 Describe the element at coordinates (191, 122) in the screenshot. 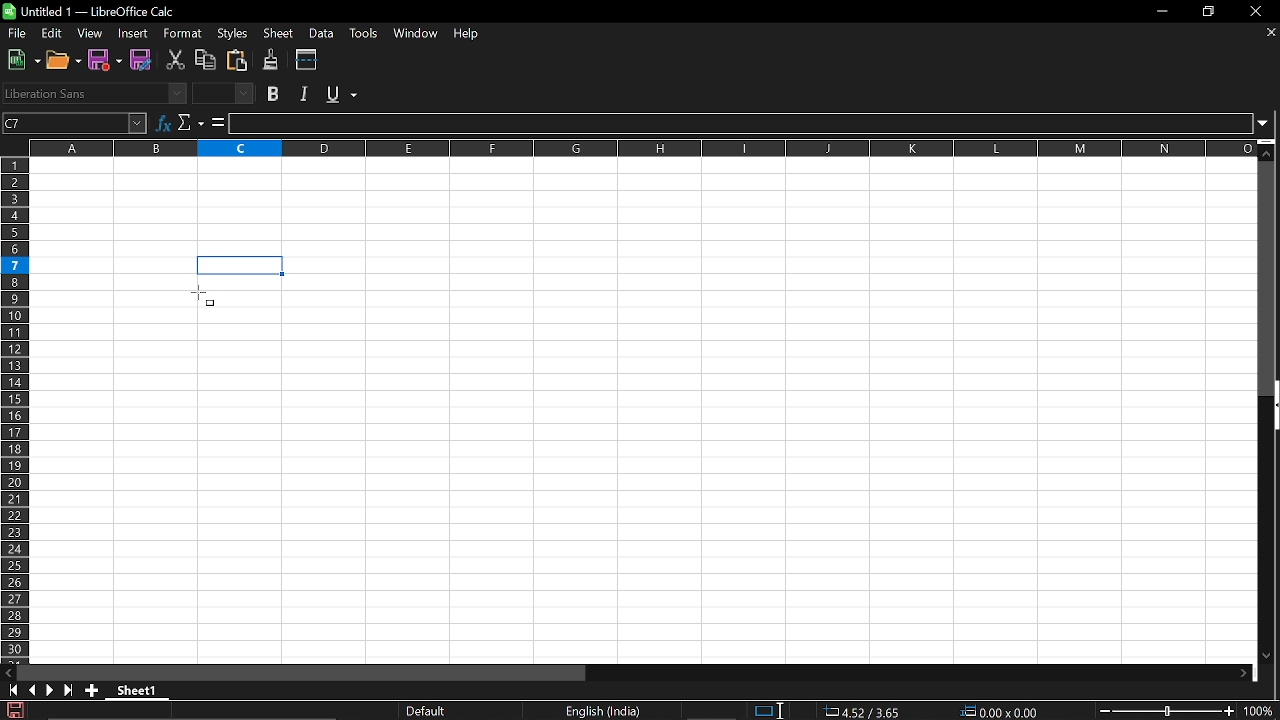

I see `Select function` at that location.